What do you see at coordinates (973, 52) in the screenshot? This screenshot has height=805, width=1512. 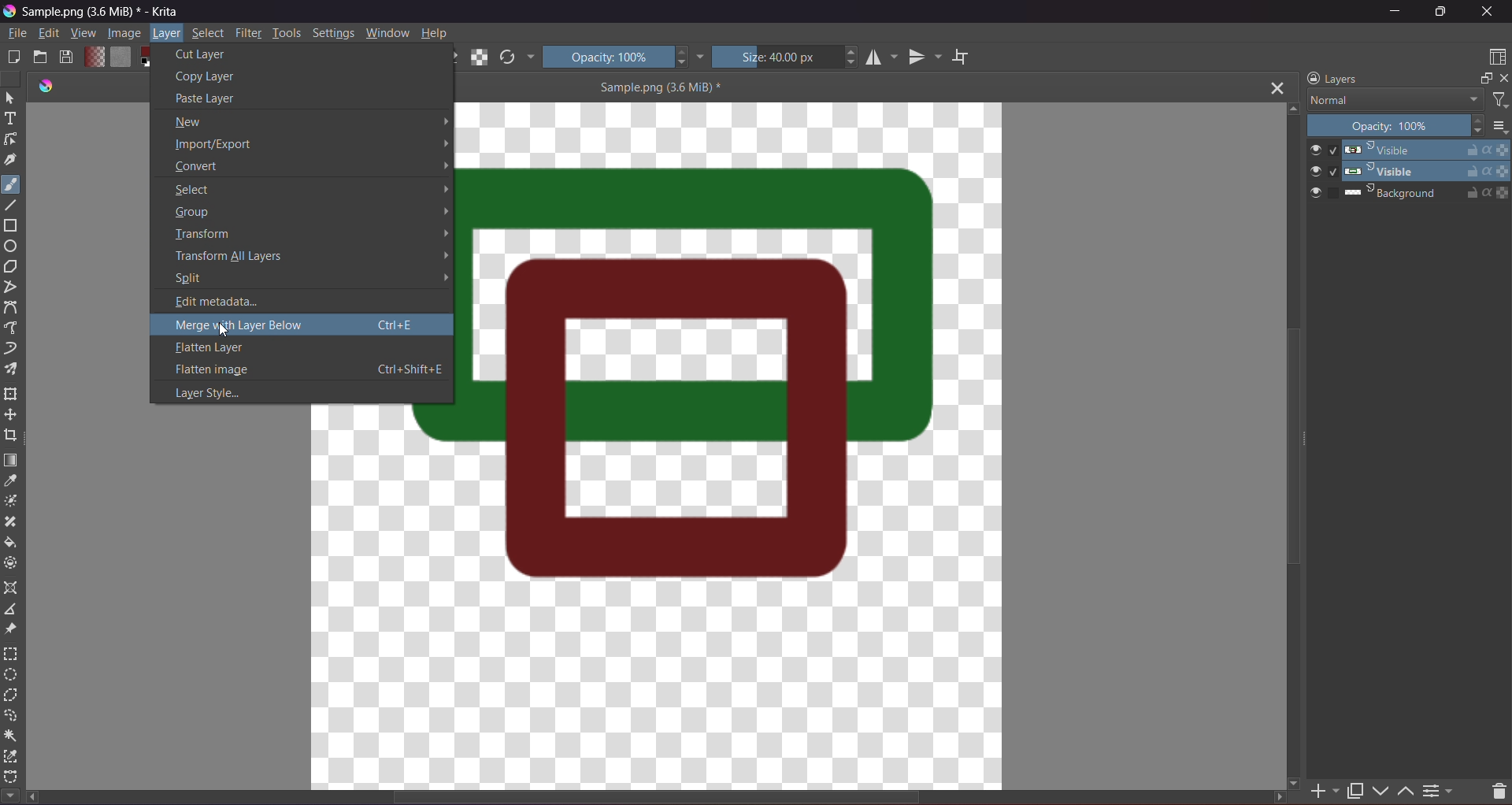 I see `Wrap Around Mode` at bounding box center [973, 52].